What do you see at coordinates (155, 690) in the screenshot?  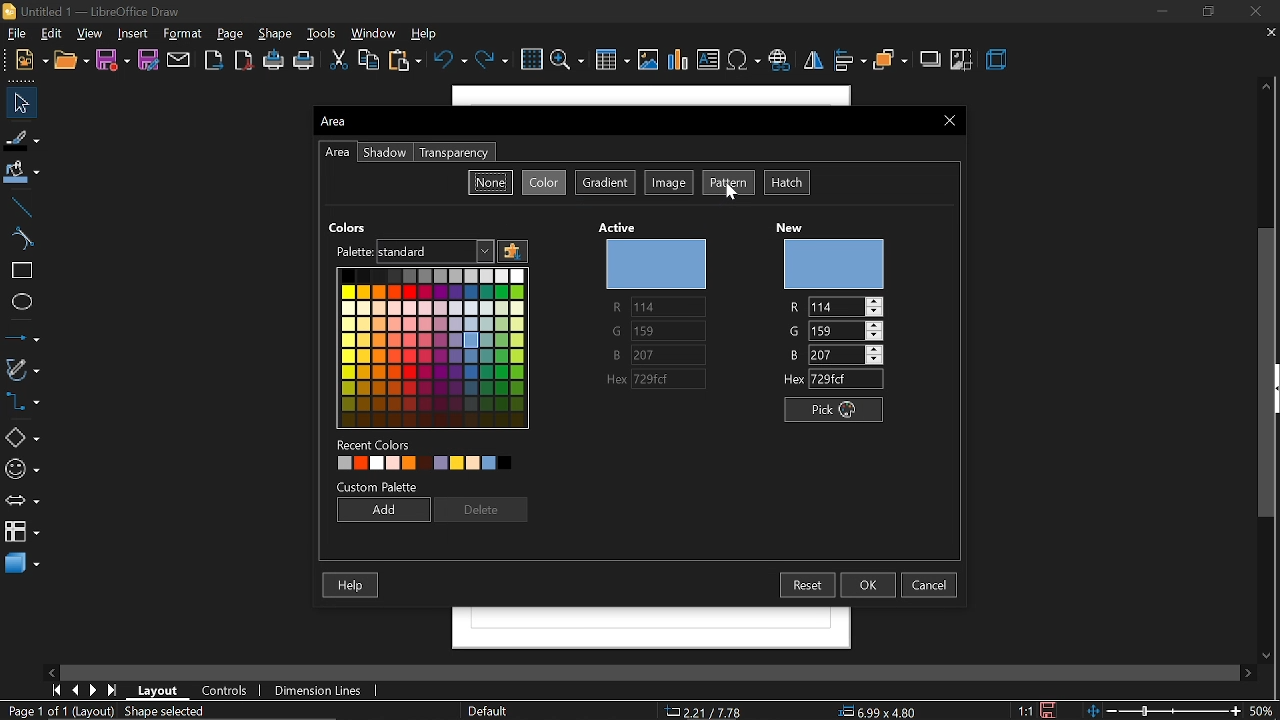 I see `layout` at bounding box center [155, 690].